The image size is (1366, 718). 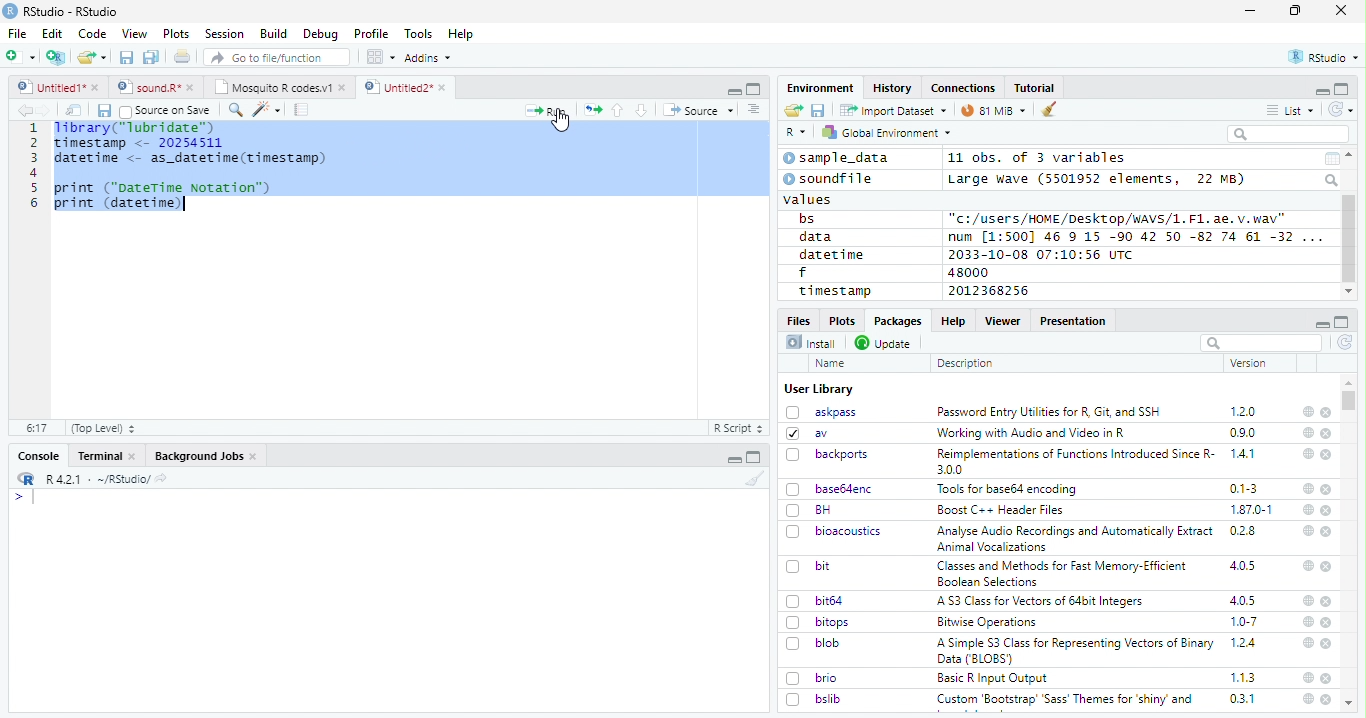 I want to click on Global Environment, so click(x=888, y=131).